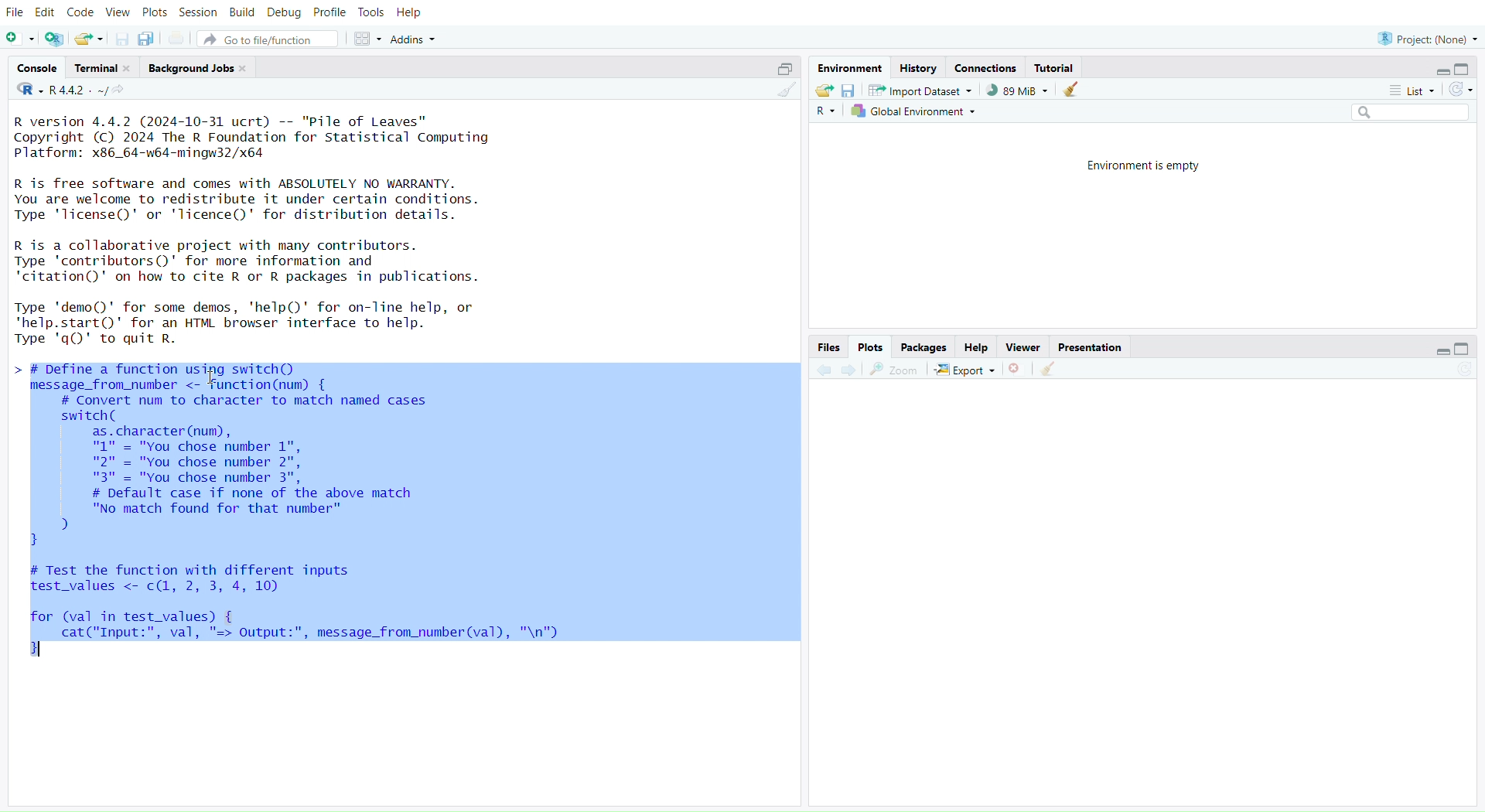 This screenshot has height=812, width=1485. I want to click on File, so click(14, 14).